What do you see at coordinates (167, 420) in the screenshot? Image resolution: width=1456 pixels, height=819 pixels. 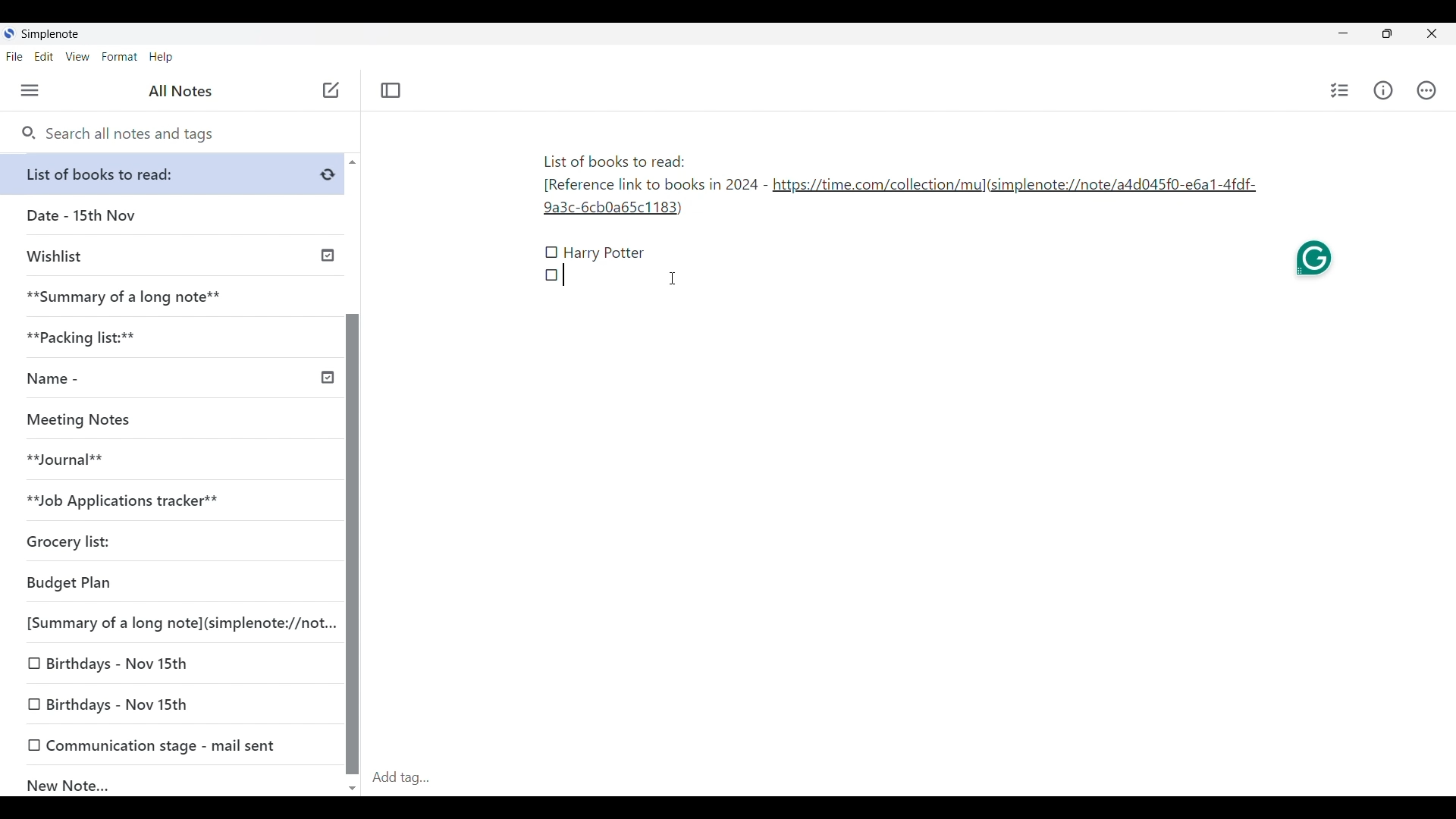 I see `Meeting Notes` at bounding box center [167, 420].